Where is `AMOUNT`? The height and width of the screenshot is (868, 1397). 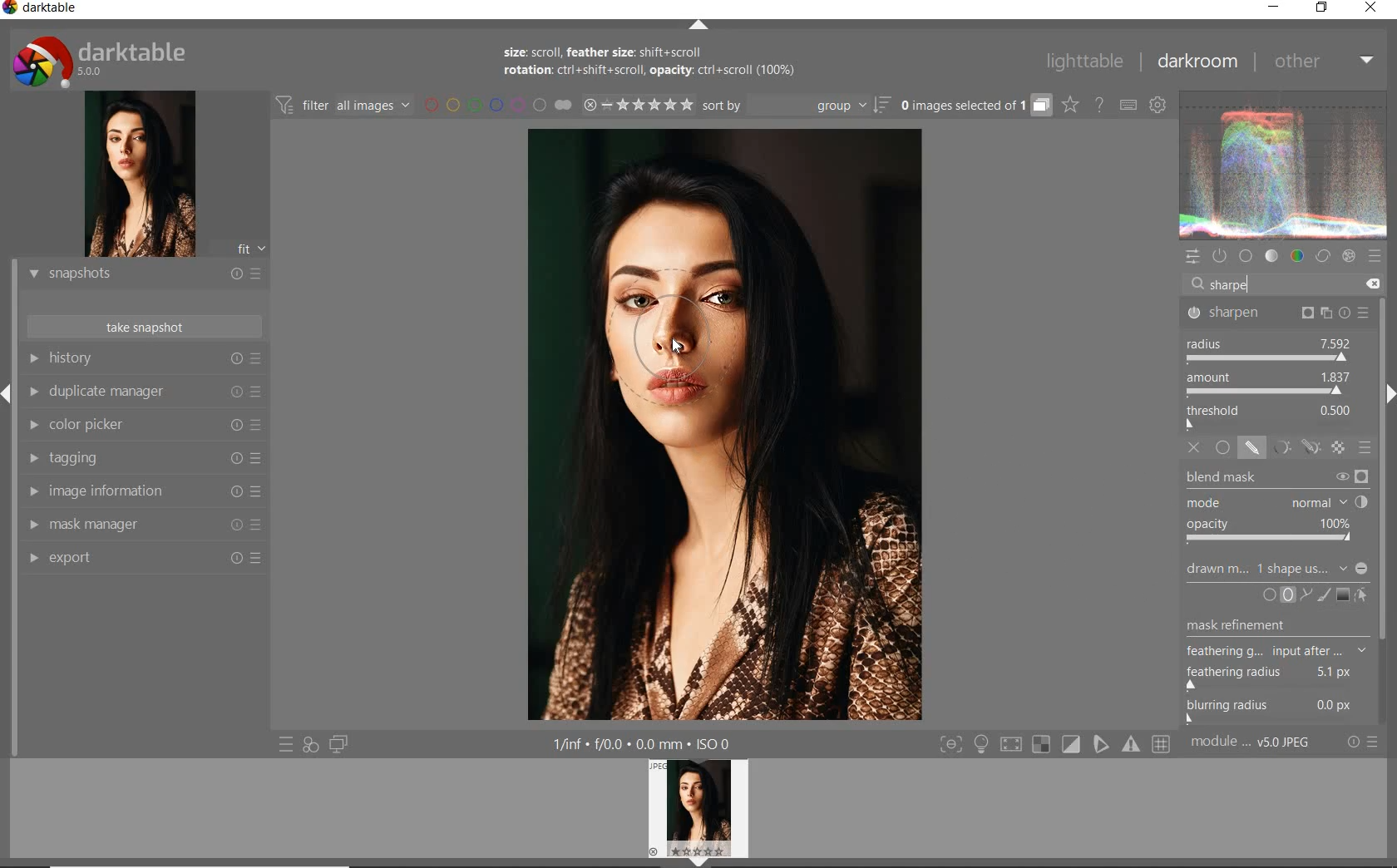
AMOUNT is located at coordinates (1269, 383).